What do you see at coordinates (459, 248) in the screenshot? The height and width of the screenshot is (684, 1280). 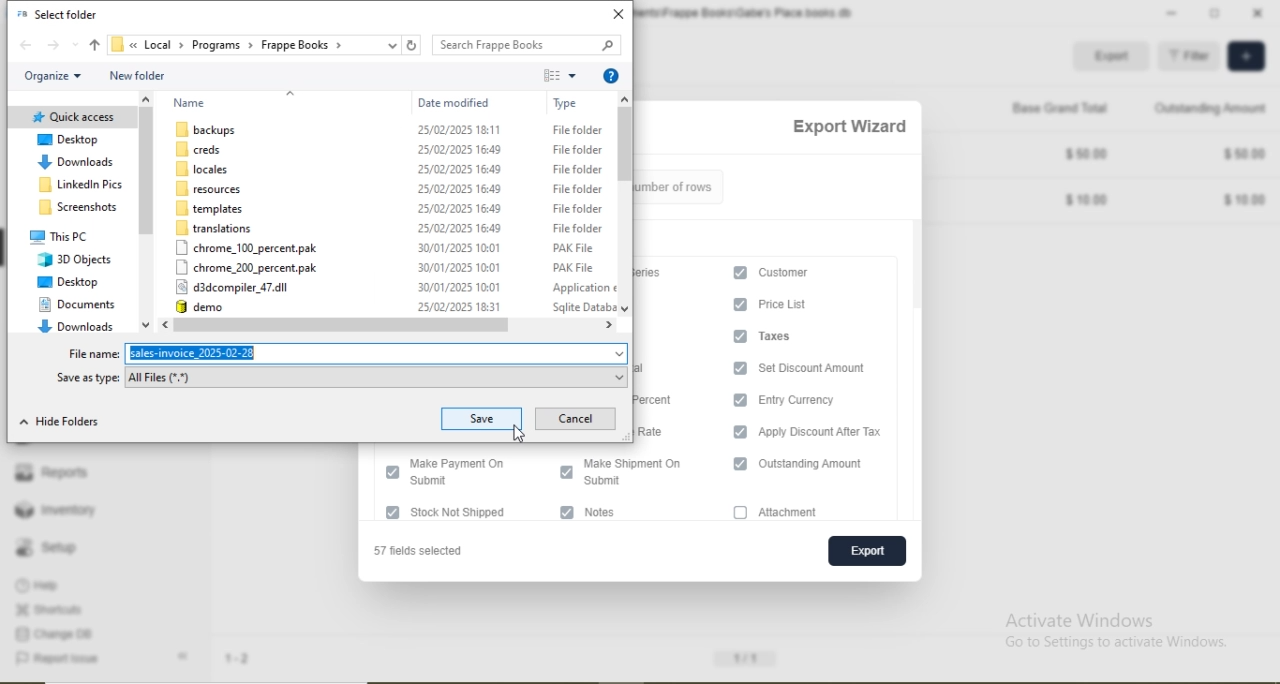 I see `30/01/2025 10:01` at bounding box center [459, 248].